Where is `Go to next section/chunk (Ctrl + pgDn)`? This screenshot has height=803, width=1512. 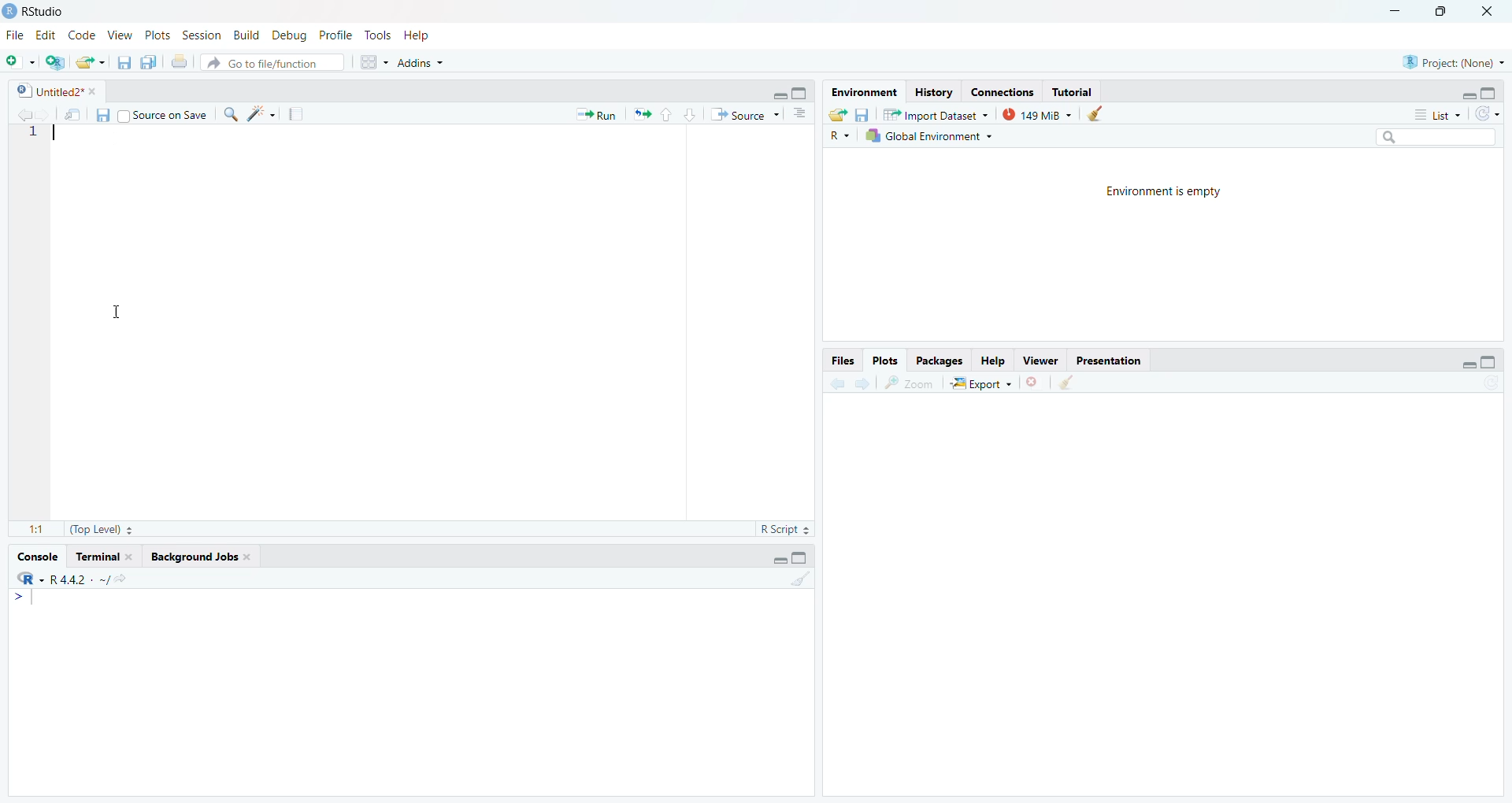 Go to next section/chunk (Ctrl + pgDn) is located at coordinates (691, 113).